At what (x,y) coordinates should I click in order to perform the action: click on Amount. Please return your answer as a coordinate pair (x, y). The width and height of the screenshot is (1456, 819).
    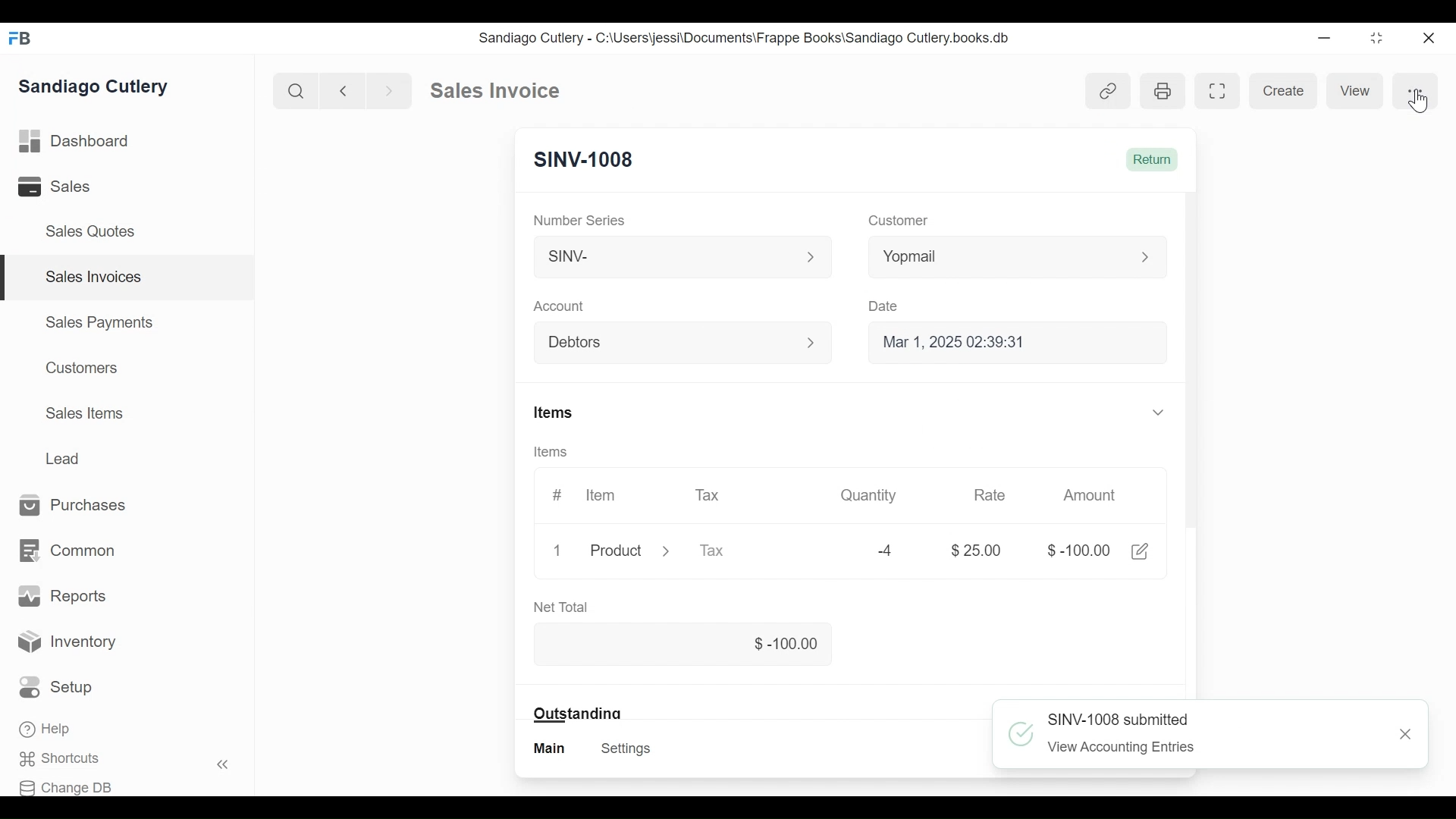
    Looking at the image, I should click on (1090, 497).